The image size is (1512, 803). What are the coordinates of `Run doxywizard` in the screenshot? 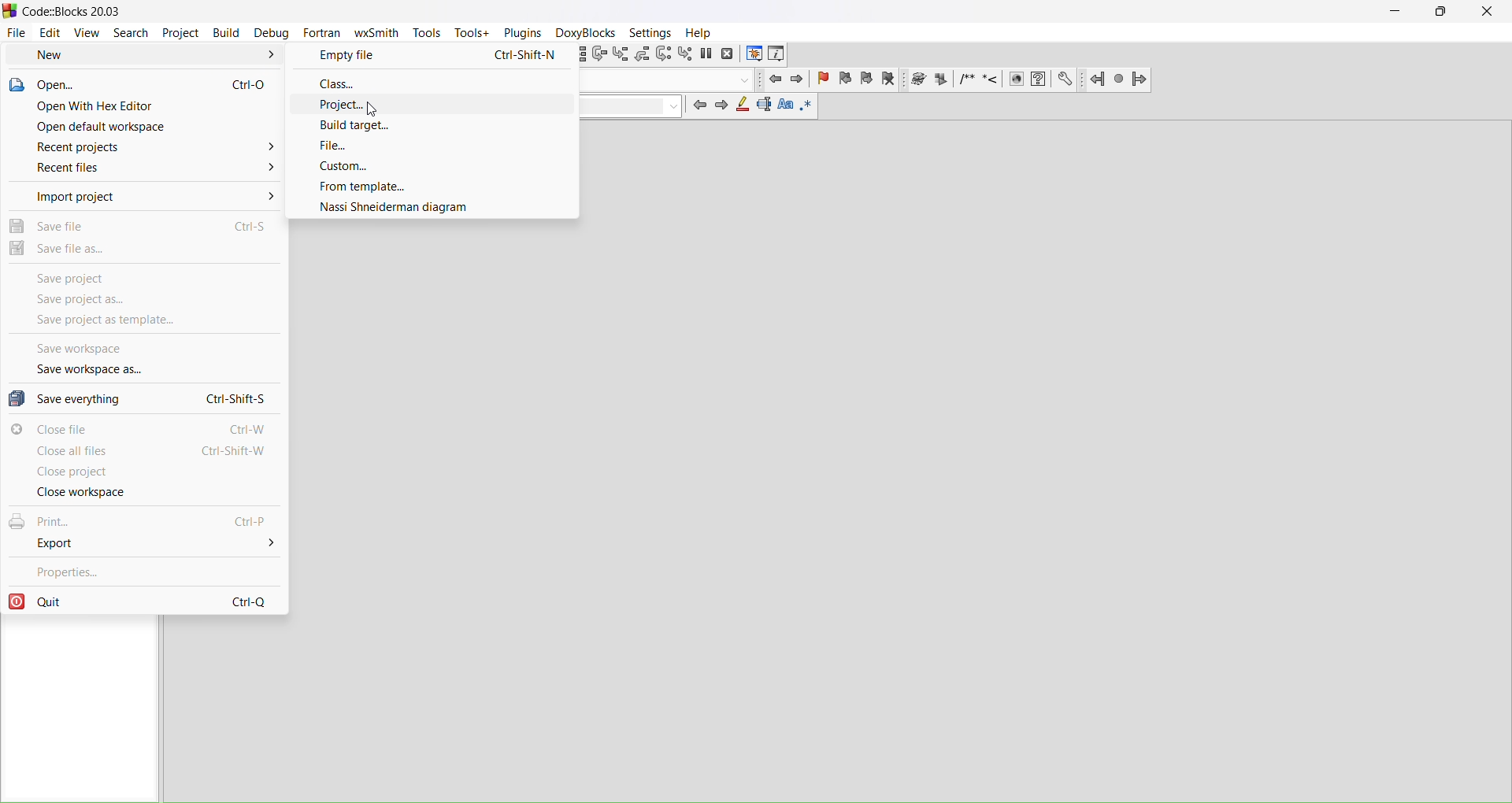 It's located at (917, 80).